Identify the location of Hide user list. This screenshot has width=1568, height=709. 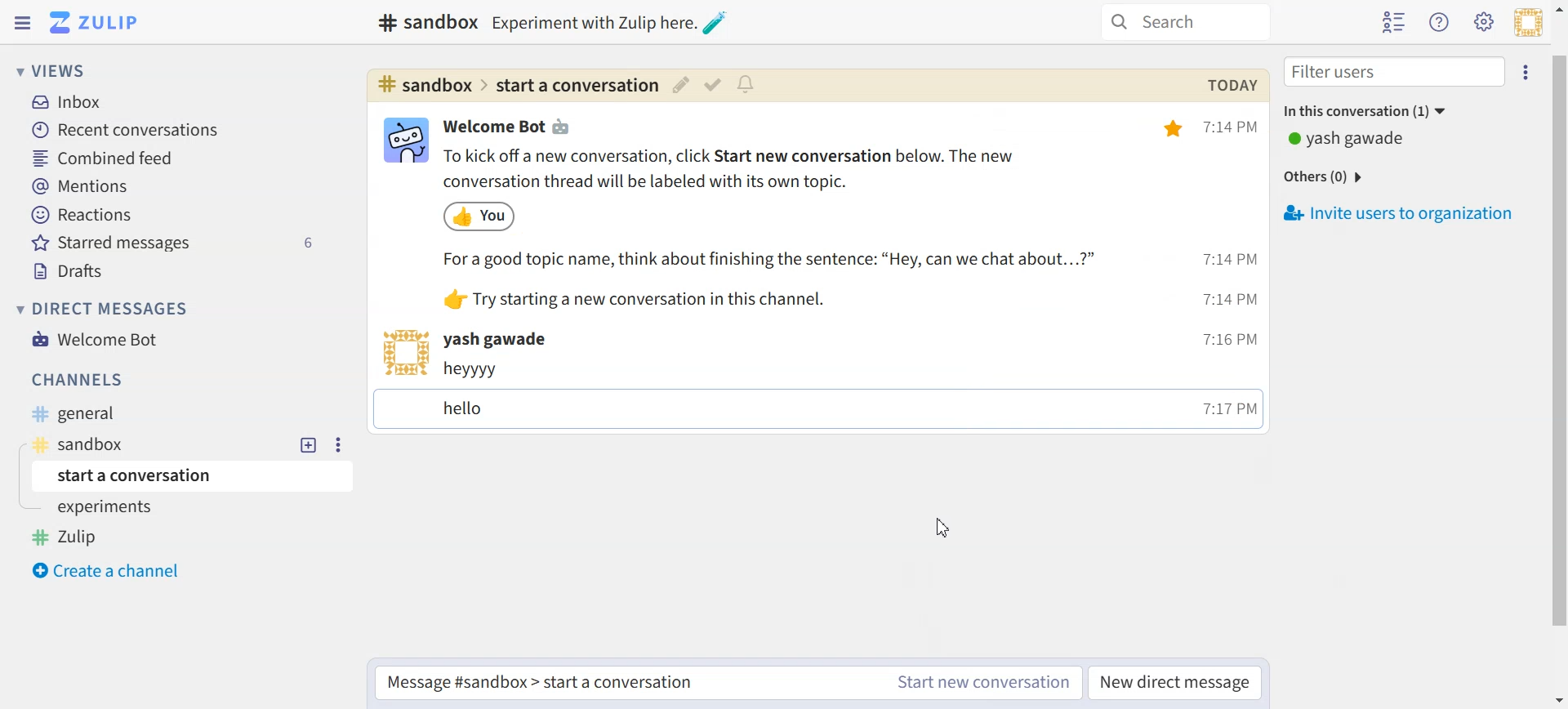
(1393, 23).